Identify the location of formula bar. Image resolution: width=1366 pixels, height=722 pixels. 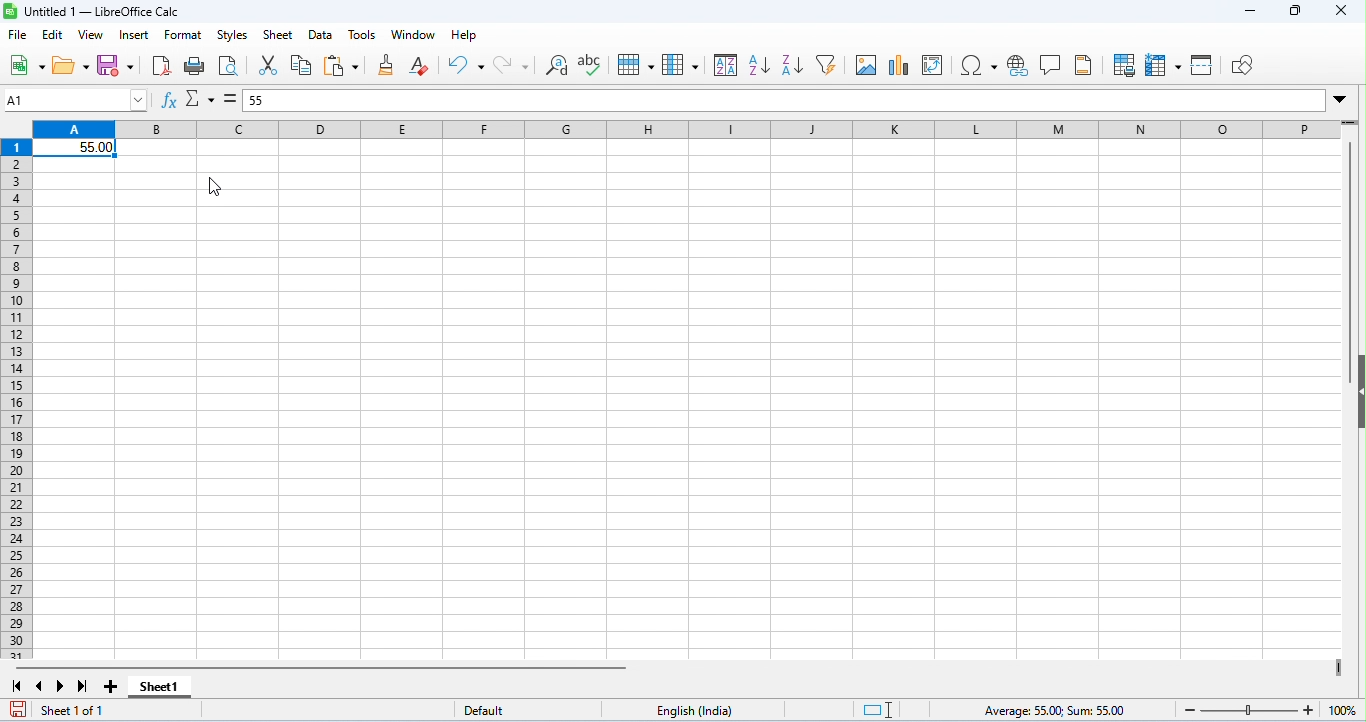
(798, 101).